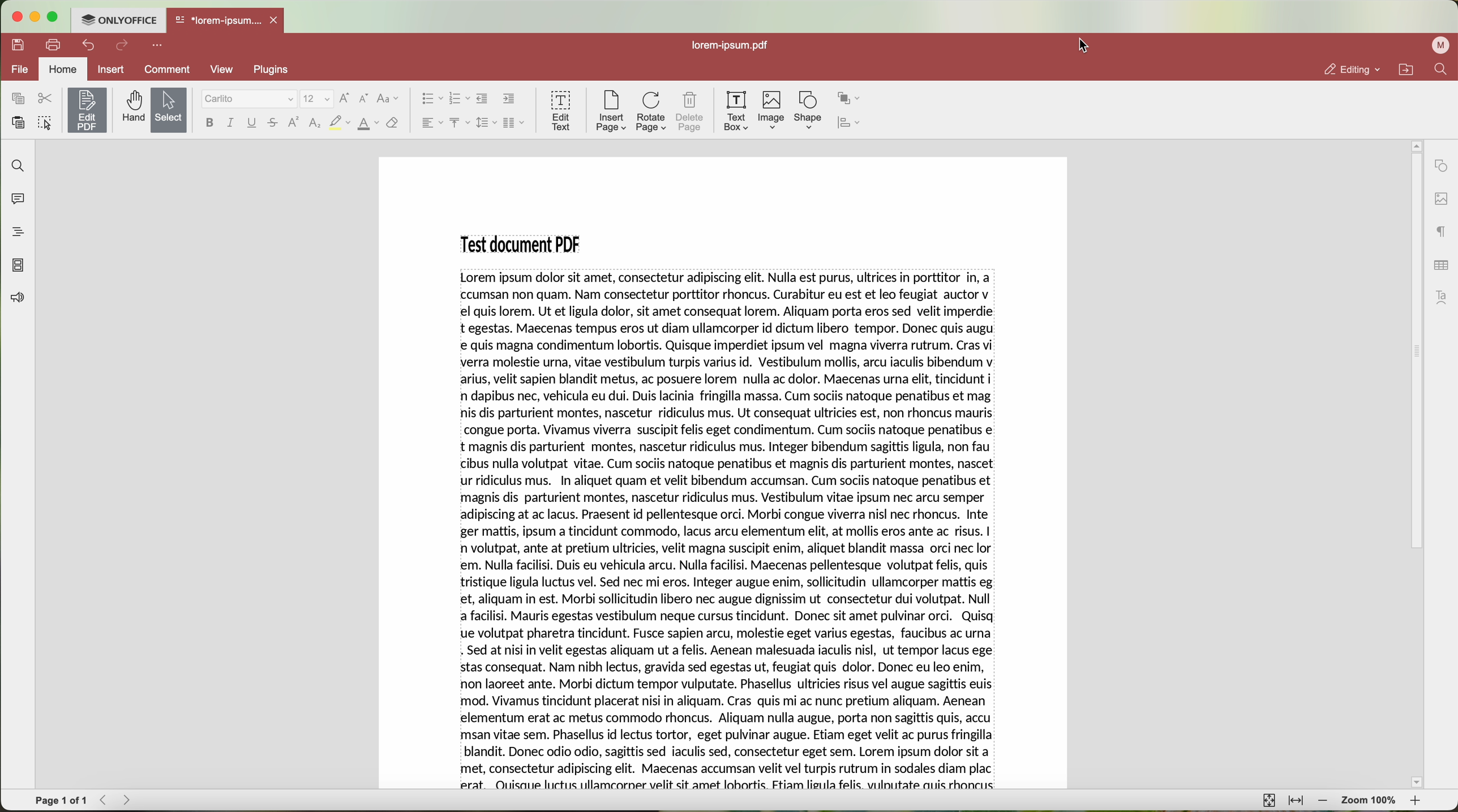 Image resolution: width=1458 pixels, height=812 pixels. Describe the element at coordinates (20, 200) in the screenshot. I see `comments` at that location.